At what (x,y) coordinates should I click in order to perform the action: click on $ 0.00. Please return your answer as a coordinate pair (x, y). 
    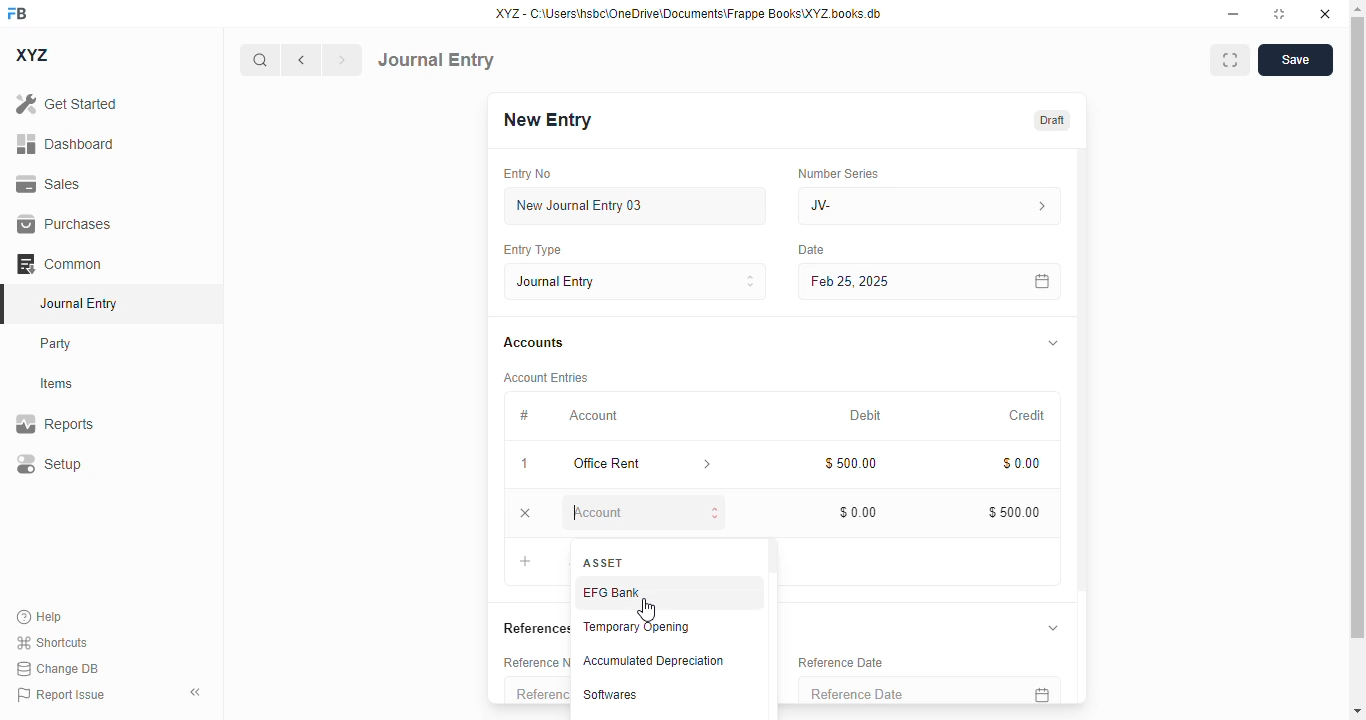
    Looking at the image, I should click on (859, 511).